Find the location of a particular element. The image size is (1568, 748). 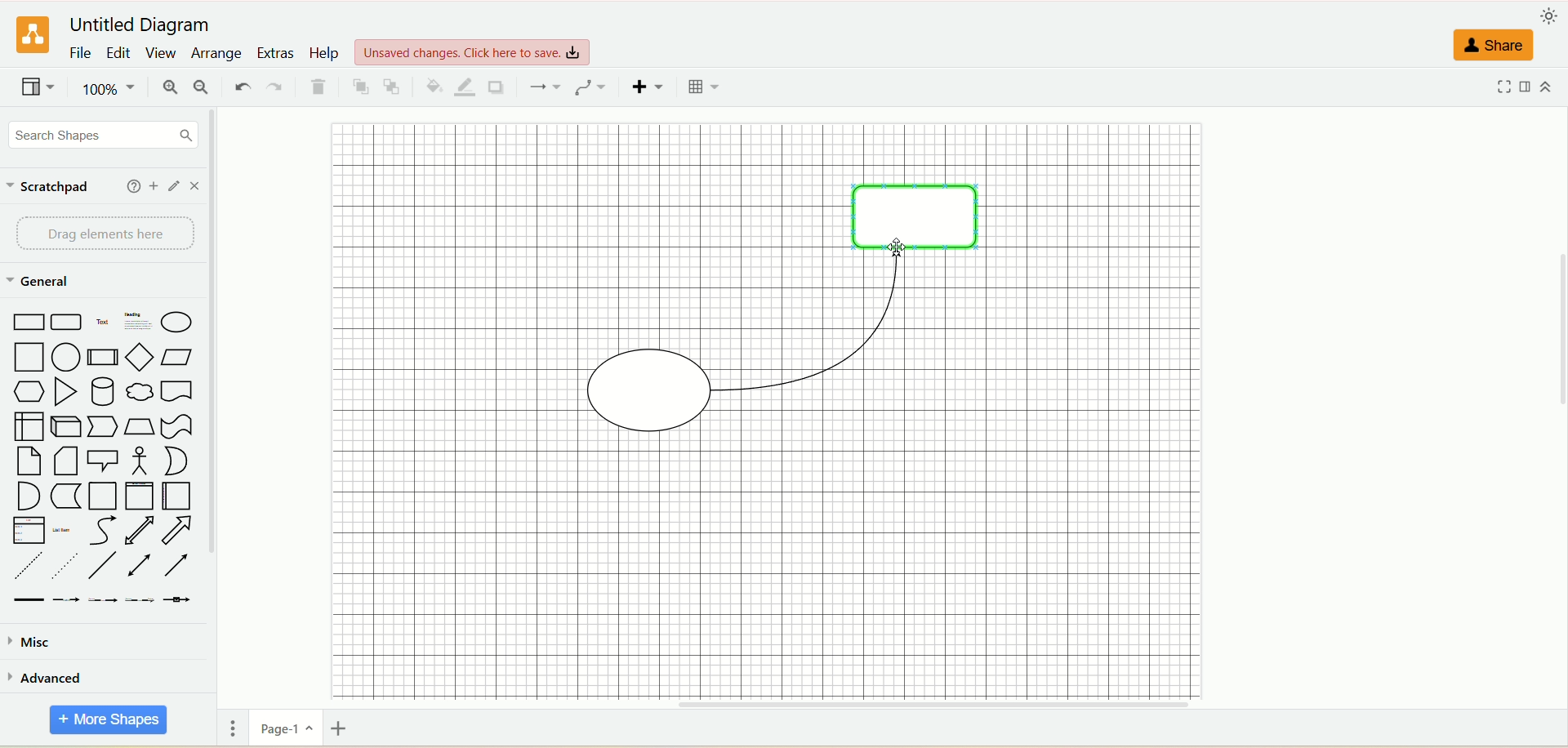

vertical scroll bar is located at coordinates (220, 398).